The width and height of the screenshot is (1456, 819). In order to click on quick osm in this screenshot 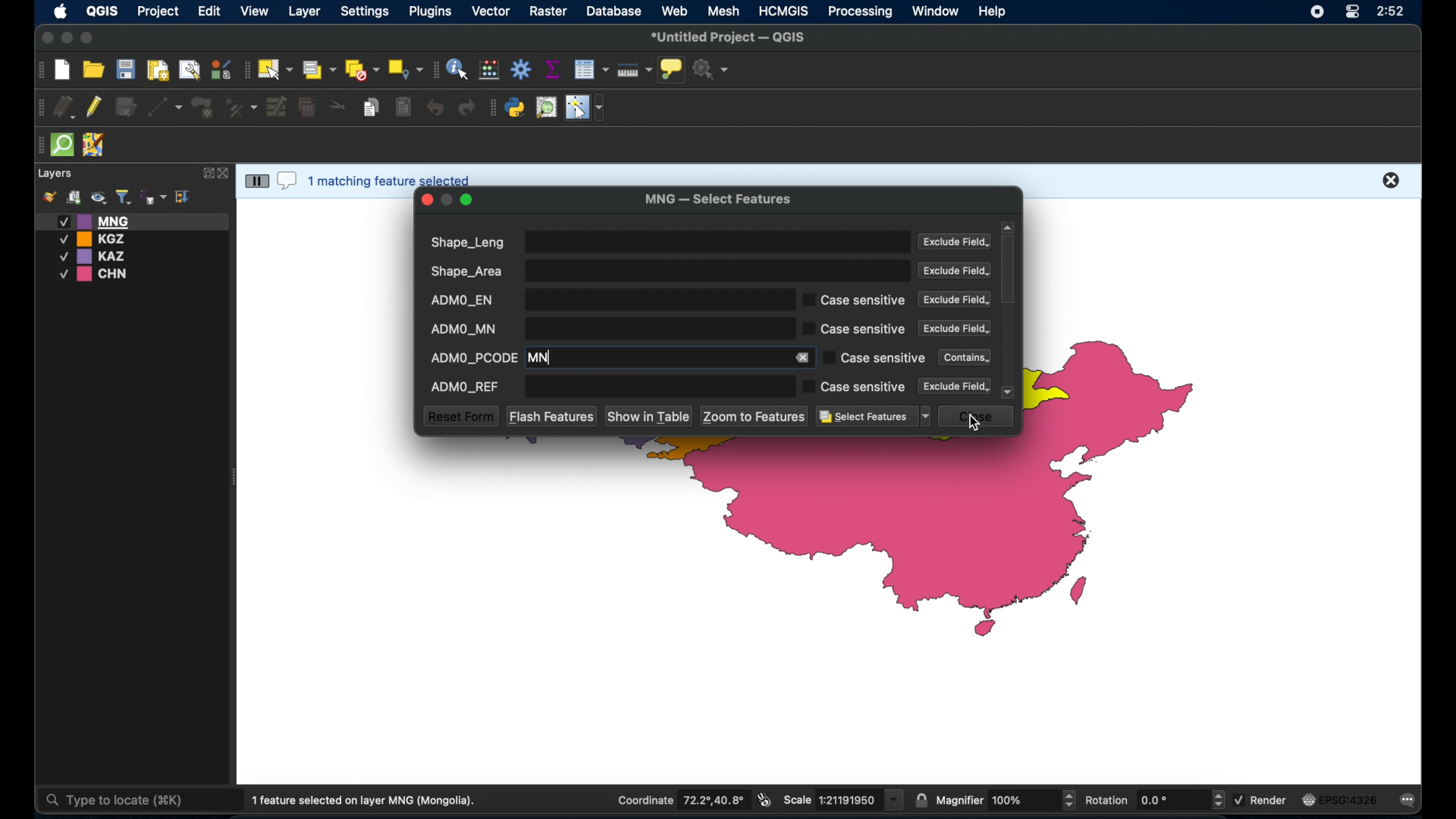, I will do `click(63, 146)`.